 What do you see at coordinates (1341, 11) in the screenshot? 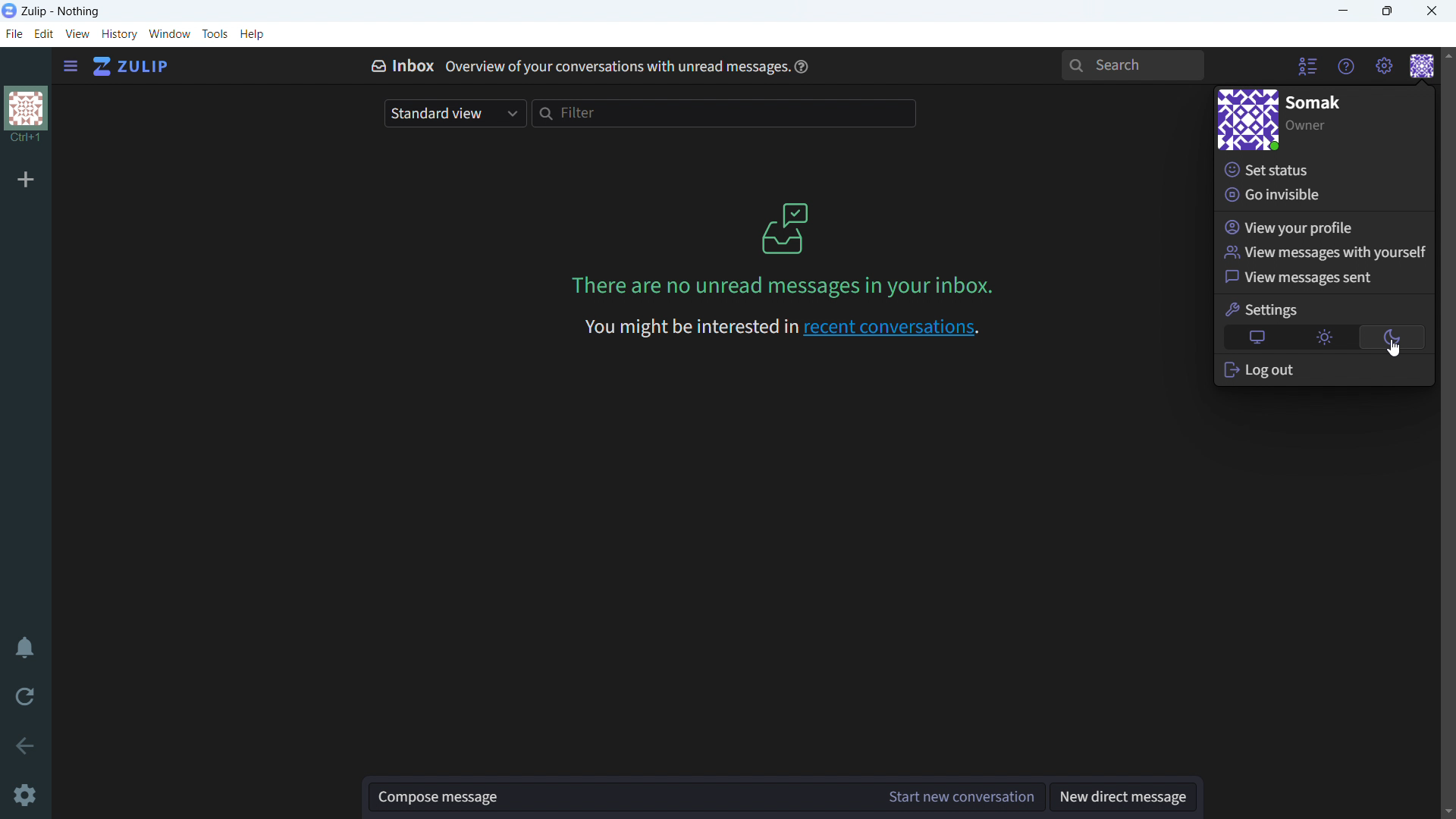
I see `minimize` at bounding box center [1341, 11].